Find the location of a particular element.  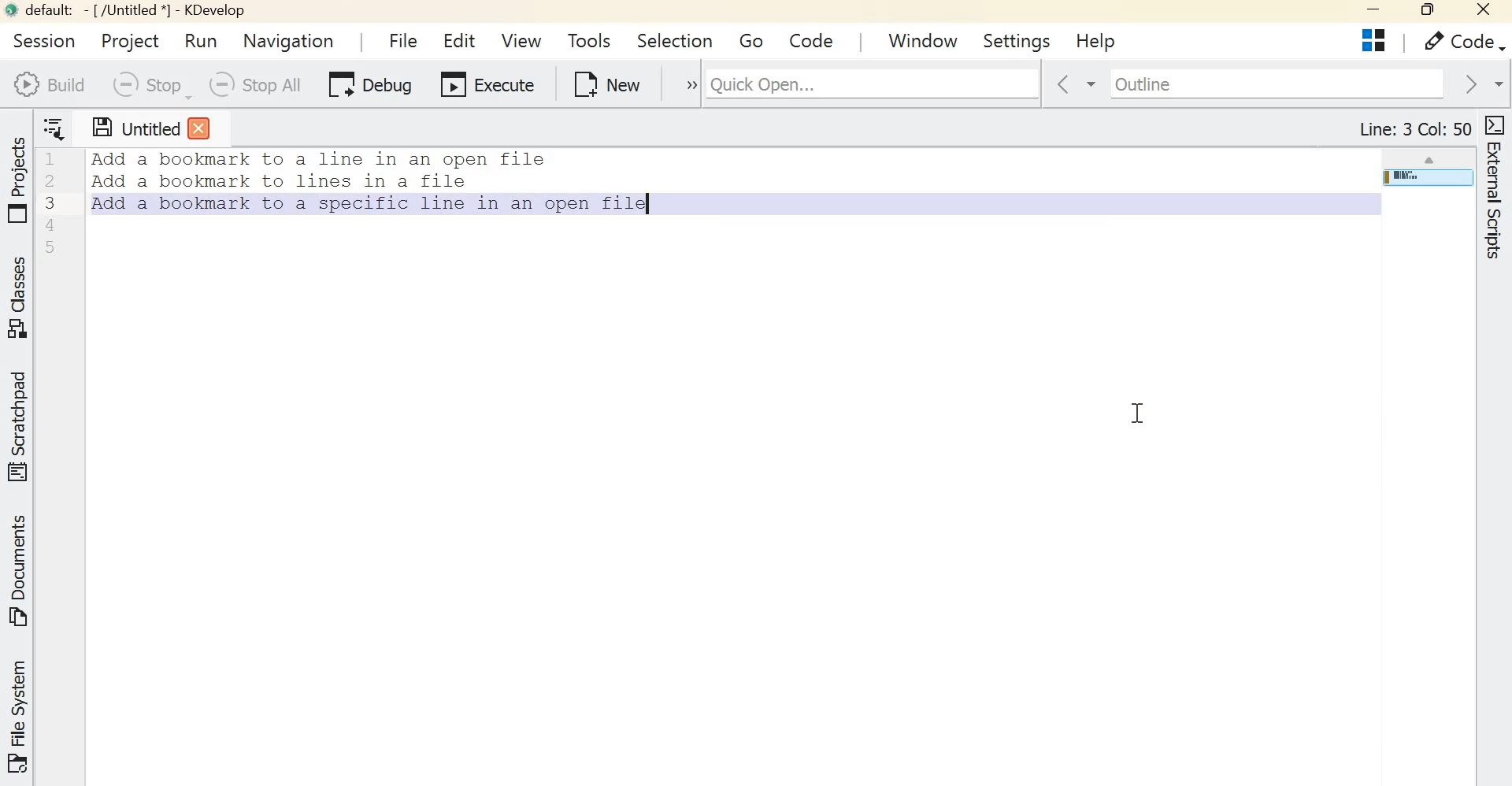

Run is located at coordinates (205, 40).